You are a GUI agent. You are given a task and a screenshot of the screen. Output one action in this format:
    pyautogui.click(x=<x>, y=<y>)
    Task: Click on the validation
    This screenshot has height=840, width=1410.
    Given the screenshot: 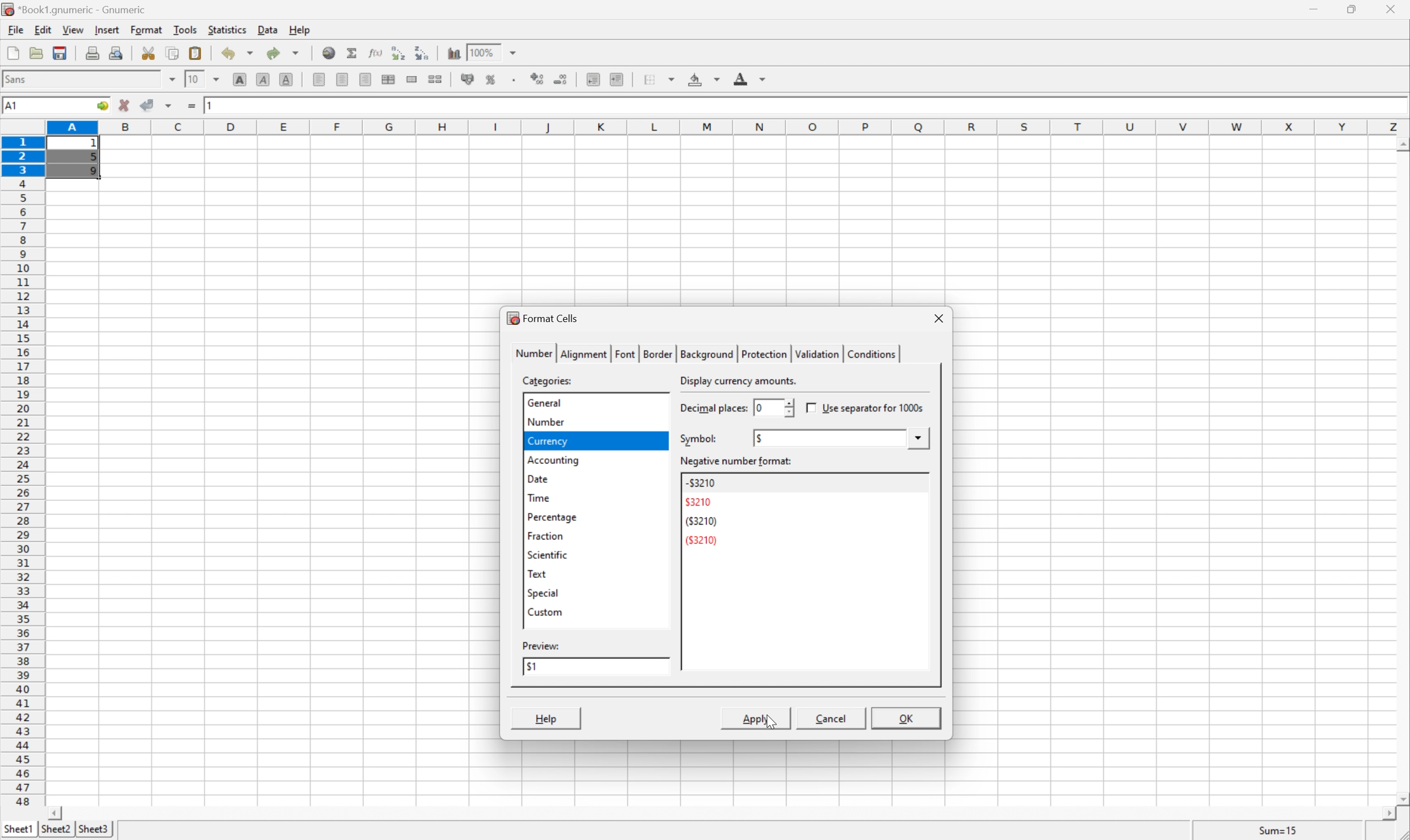 What is the action you would take?
    pyautogui.click(x=815, y=354)
    